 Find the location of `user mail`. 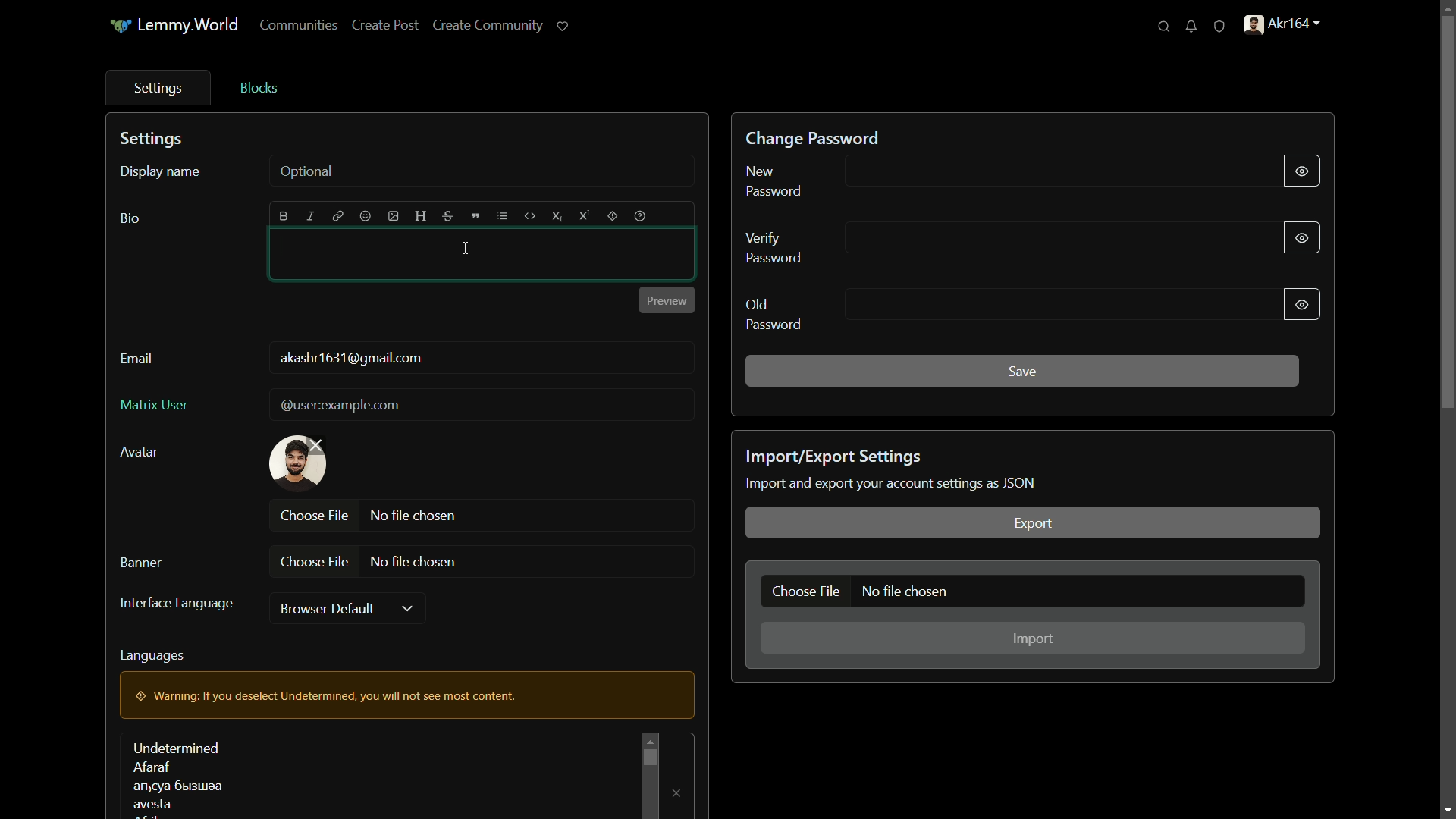

user mail is located at coordinates (351, 359).